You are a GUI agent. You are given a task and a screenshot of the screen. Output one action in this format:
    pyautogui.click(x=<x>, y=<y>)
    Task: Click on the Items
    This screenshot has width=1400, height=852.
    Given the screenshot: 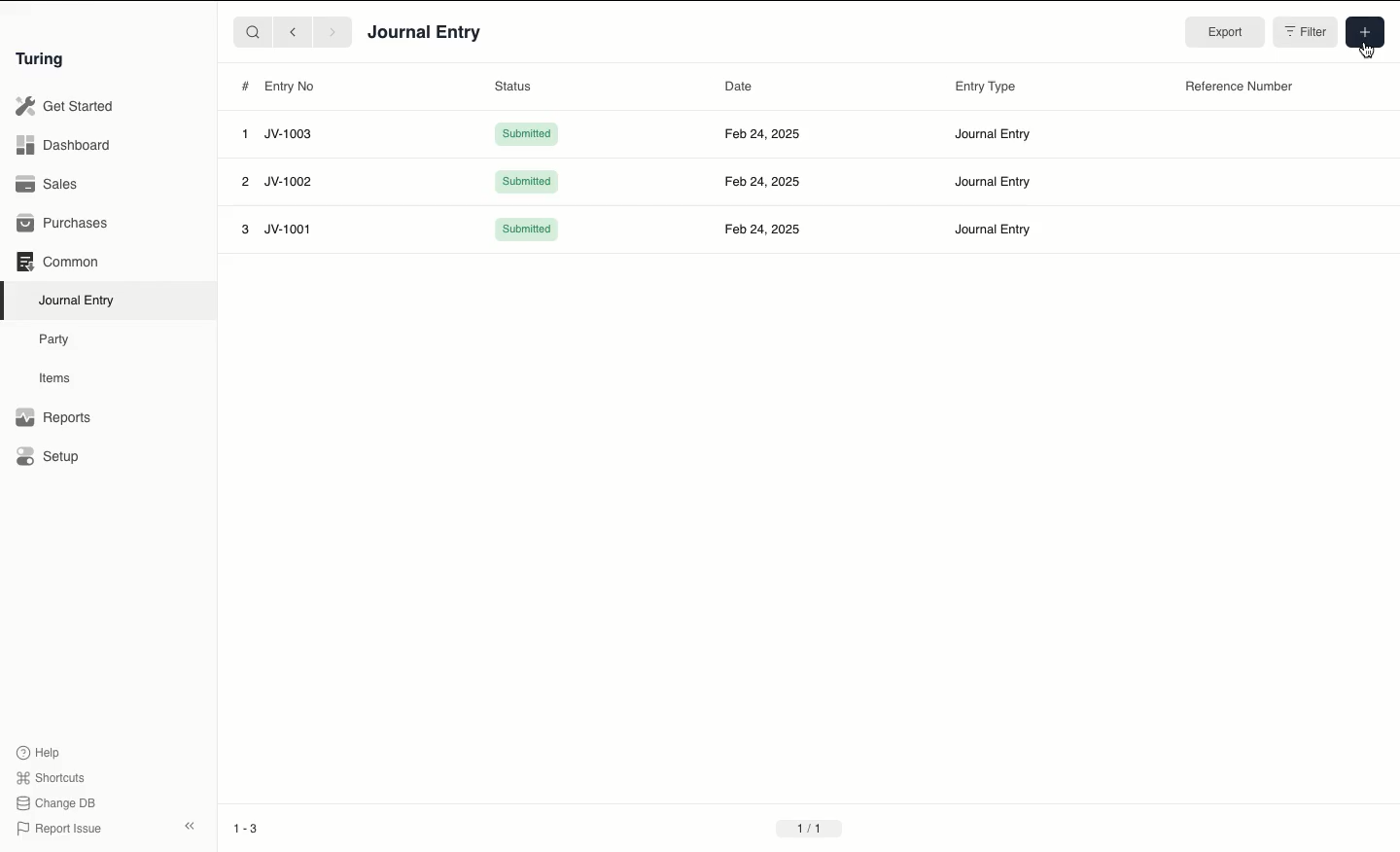 What is the action you would take?
    pyautogui.click(x=55, y=377)
    